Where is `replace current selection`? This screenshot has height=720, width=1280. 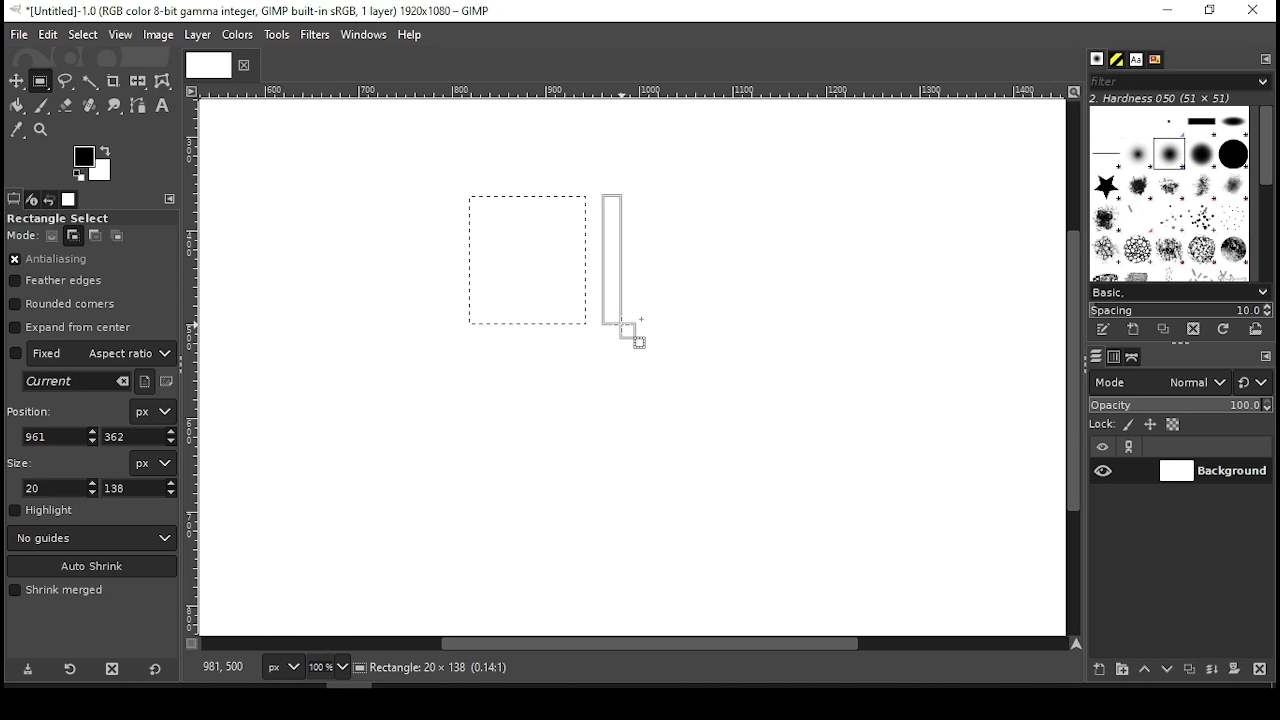 replace current selection is located at coordinates (53, 236).